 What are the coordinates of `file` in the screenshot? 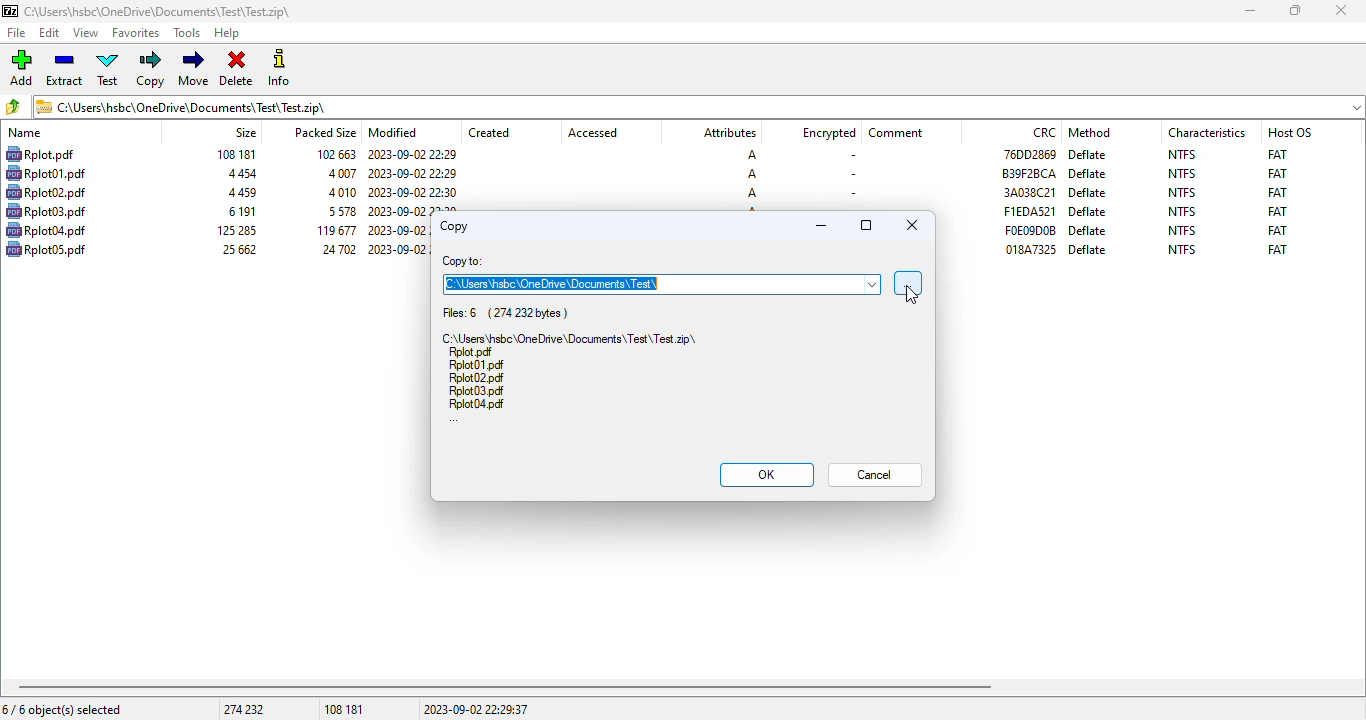 It's located at (18, 33).